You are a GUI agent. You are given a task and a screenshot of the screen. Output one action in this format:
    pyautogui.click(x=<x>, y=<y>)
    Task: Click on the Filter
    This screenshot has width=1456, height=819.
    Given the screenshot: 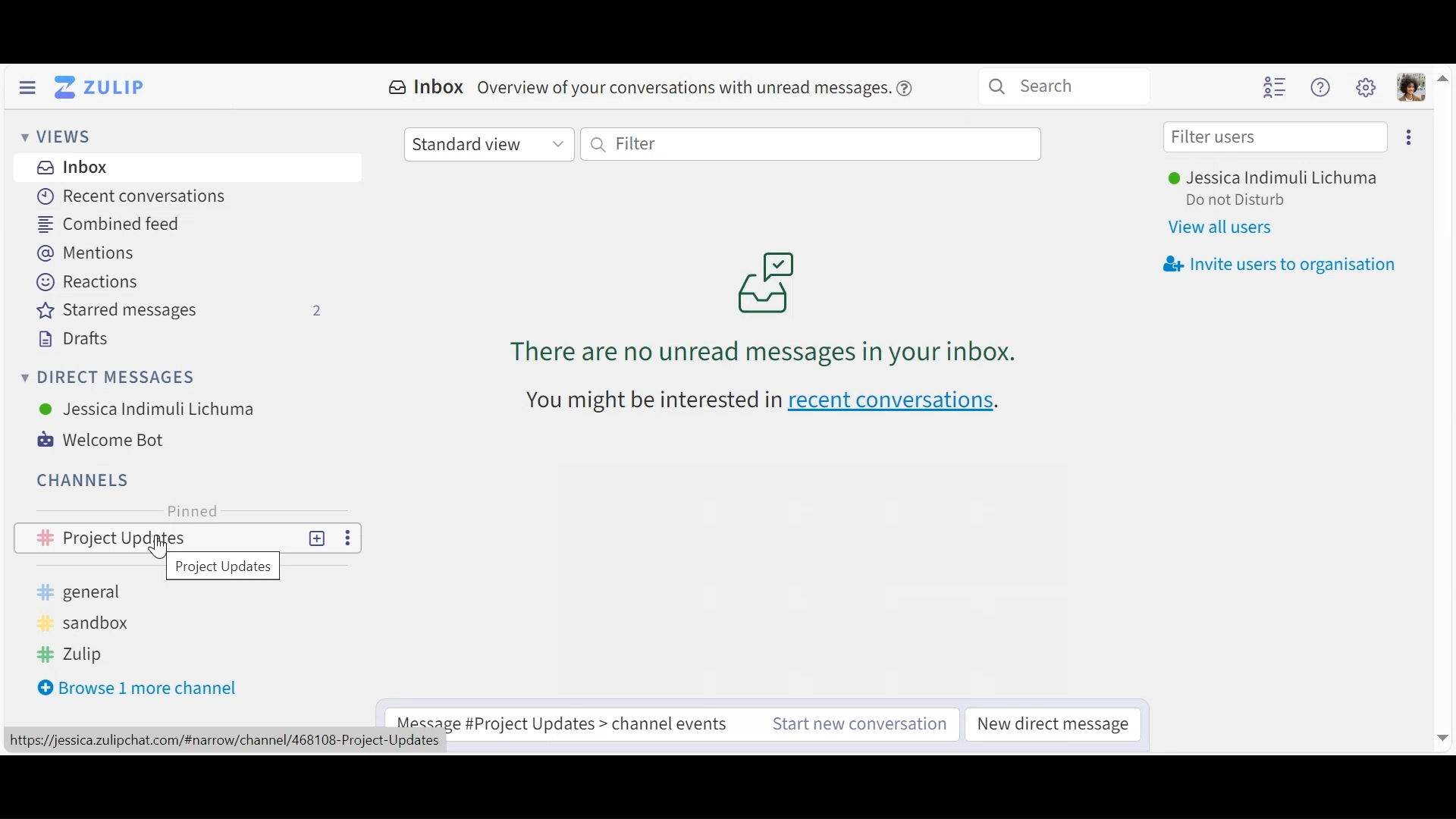 What is the action you would take?
    pyautogui.click(x=811, y=143)
    